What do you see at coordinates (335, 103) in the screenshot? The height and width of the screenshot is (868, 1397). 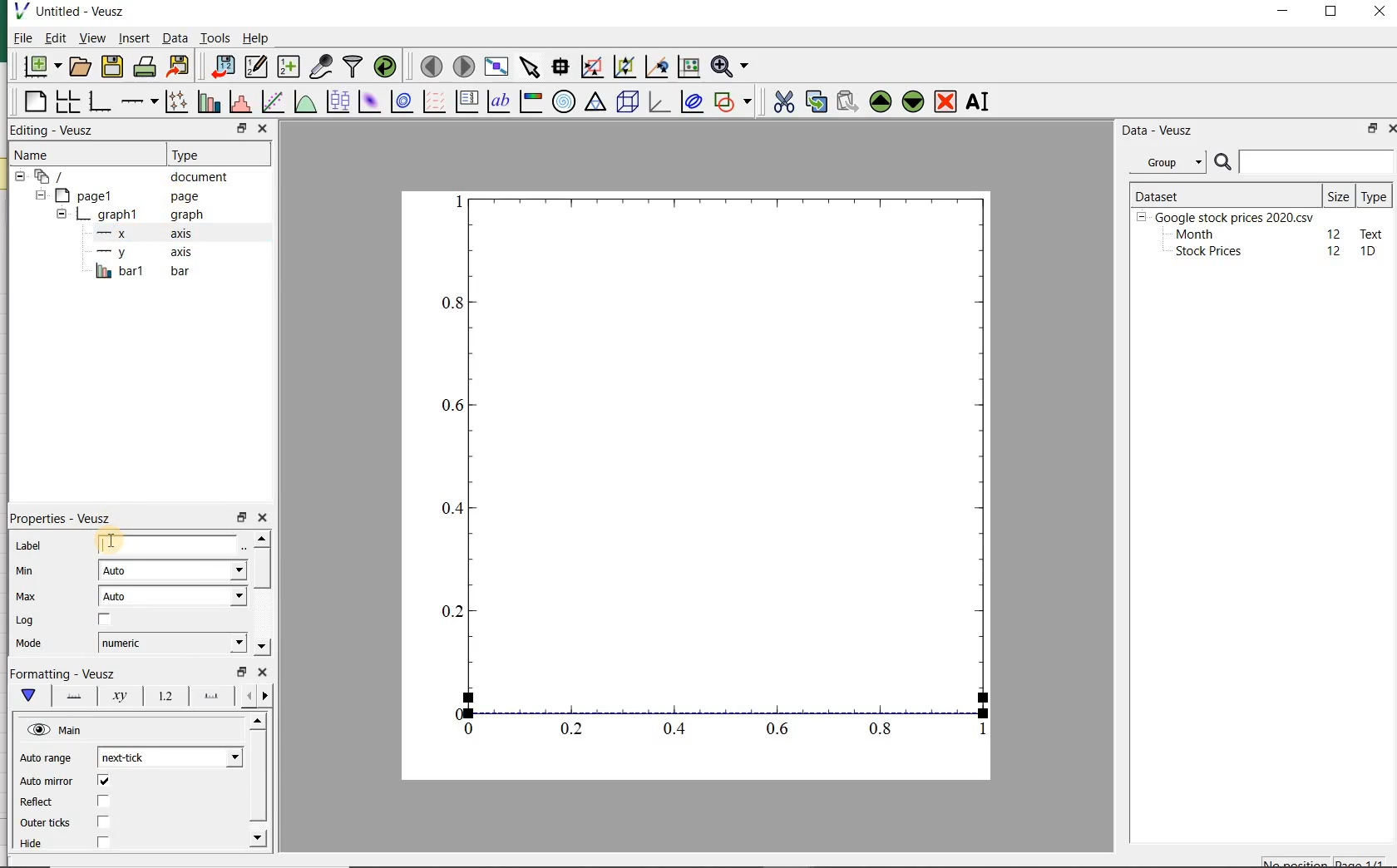 I see `plot box plots` at bounding box center [335, 103].